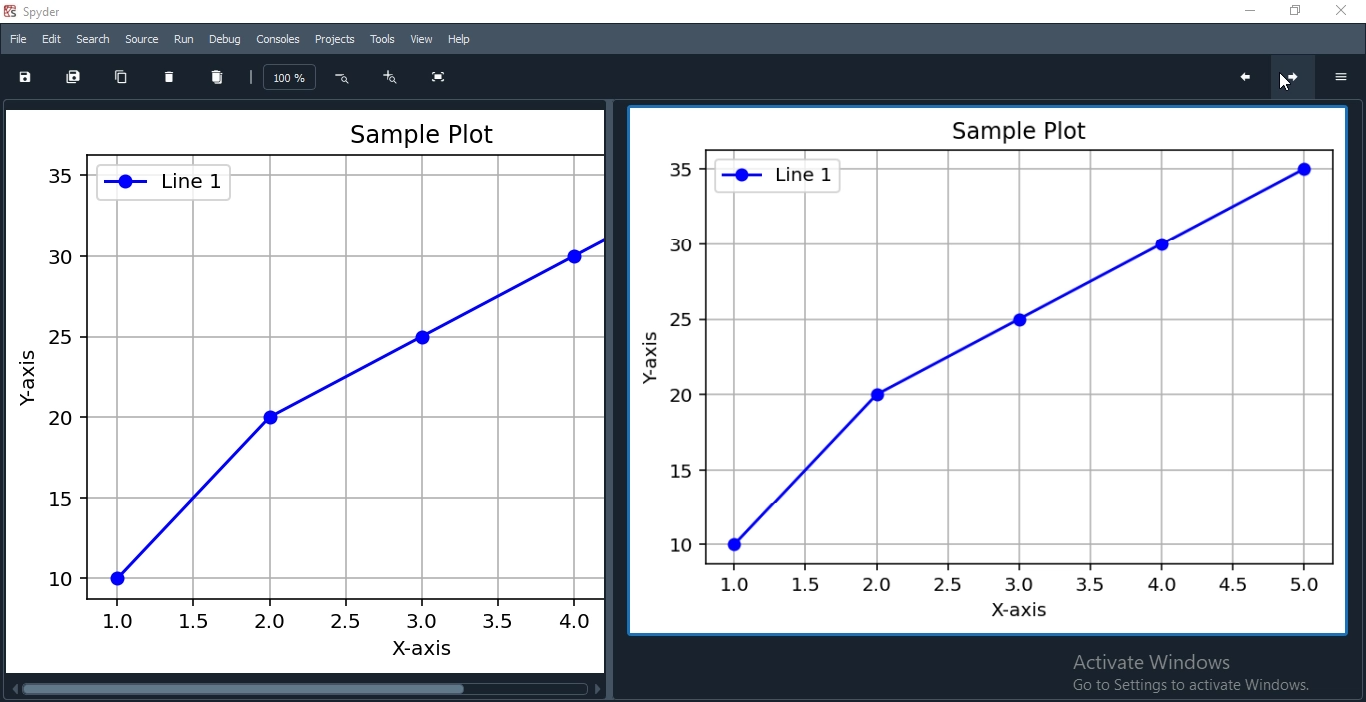  I want to click on delete all, so click(218, 76).